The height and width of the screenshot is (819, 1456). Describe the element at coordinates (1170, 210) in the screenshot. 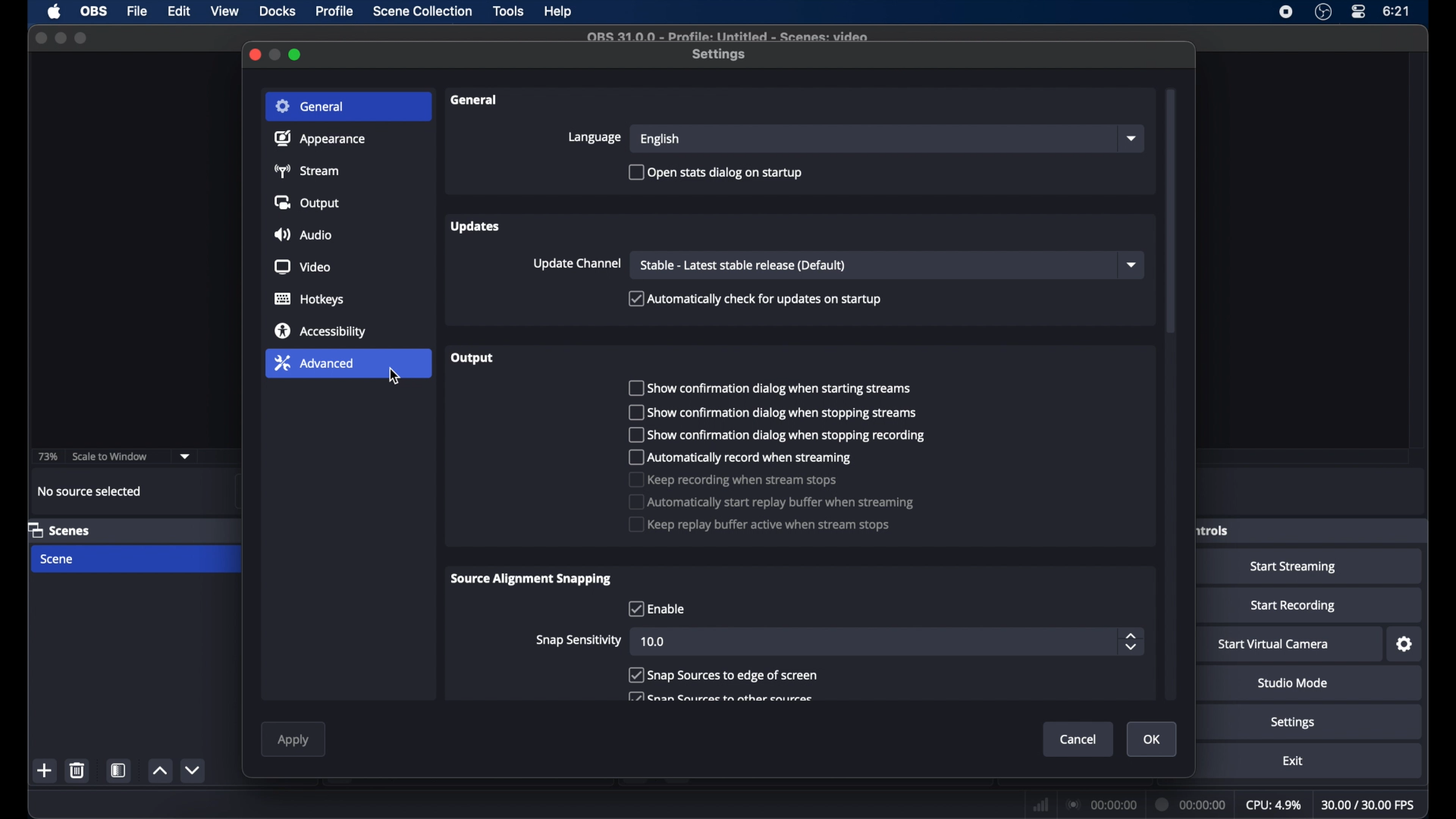

I see `scroll box` at that location.